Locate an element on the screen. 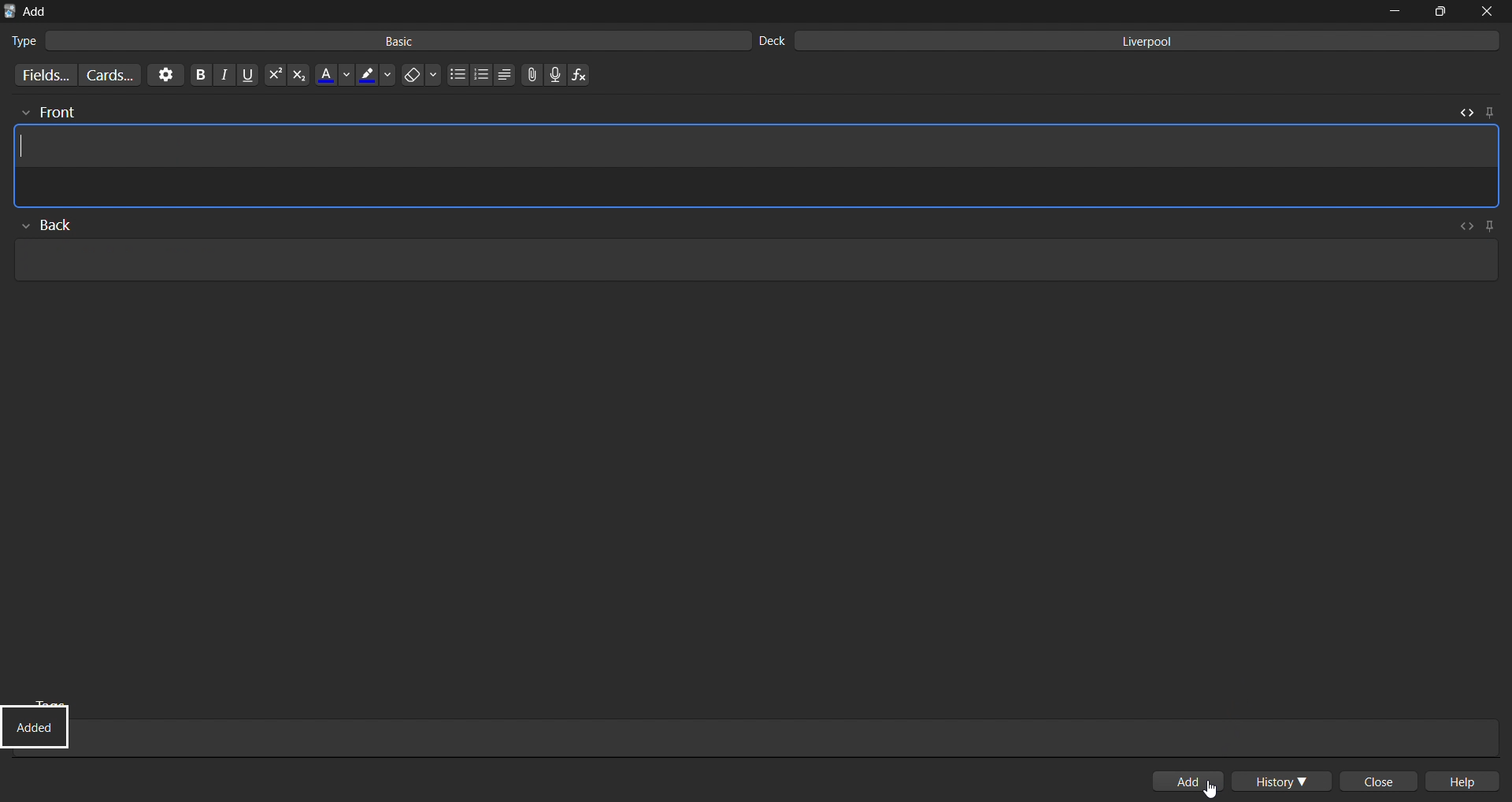 This screenshot has width=1512, height=802. card preview is located at coordinates (760, 149).